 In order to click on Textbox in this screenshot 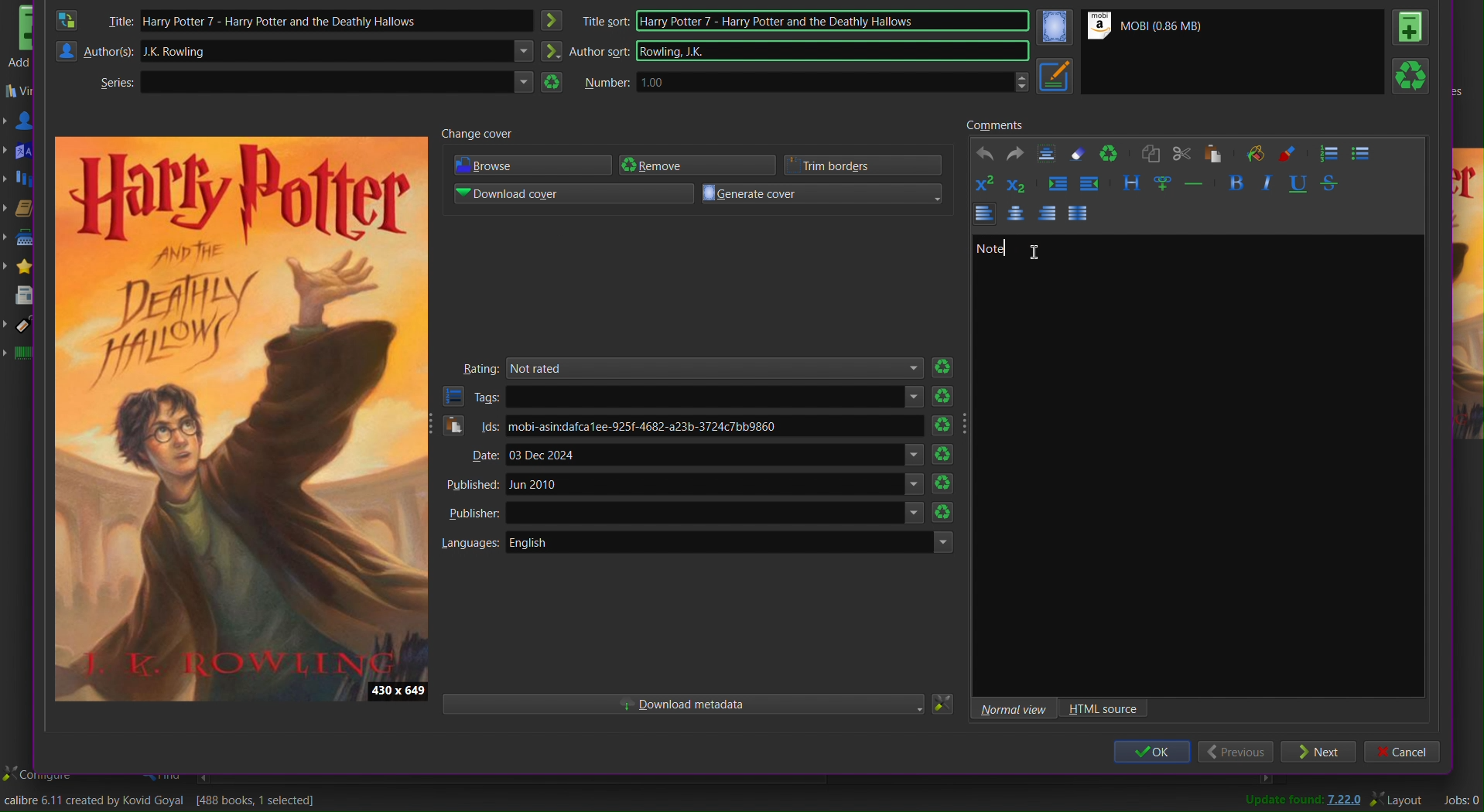, I will do `click(1192, 459)`.